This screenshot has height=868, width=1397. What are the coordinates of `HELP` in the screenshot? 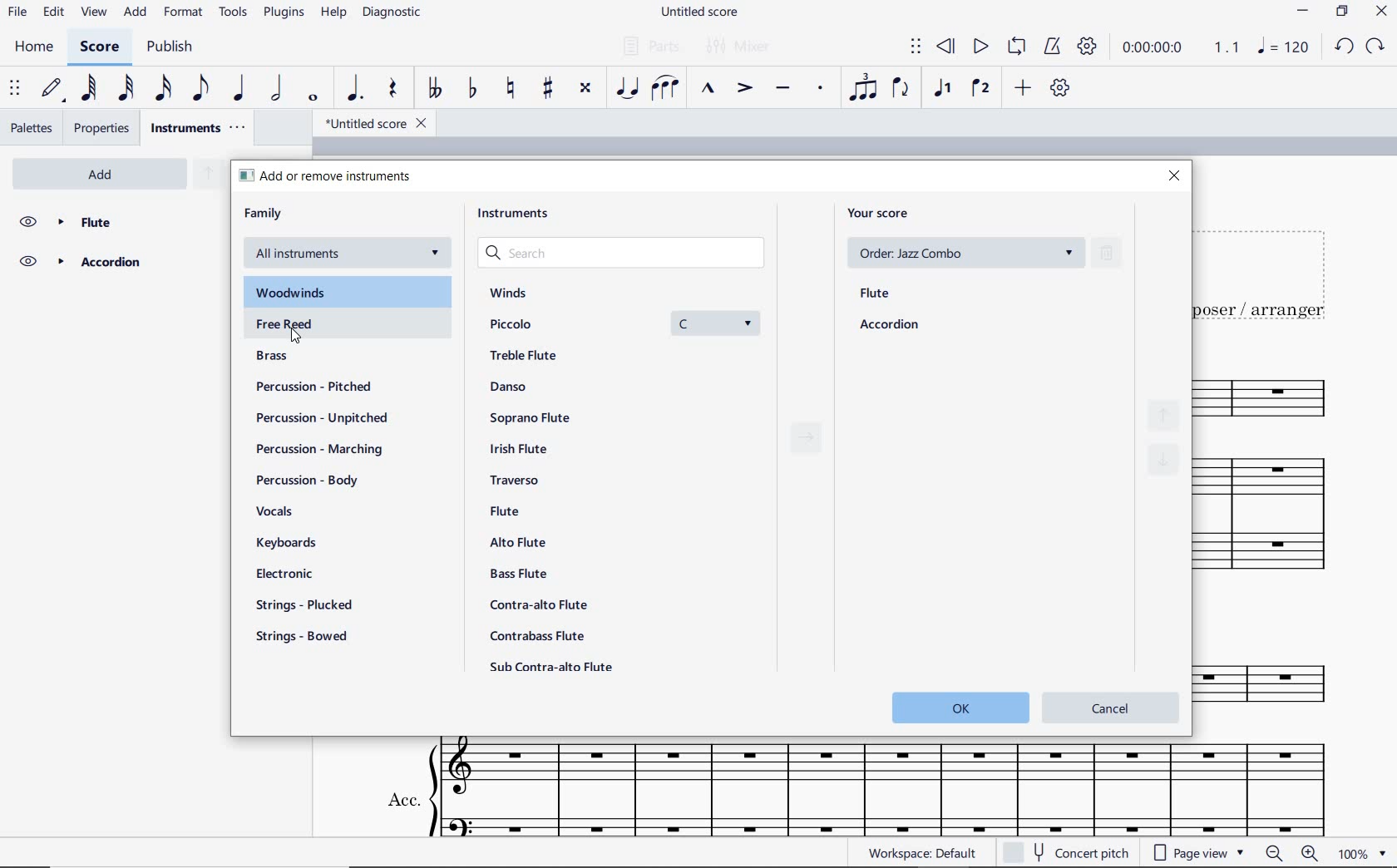 It's located at (334, 13).